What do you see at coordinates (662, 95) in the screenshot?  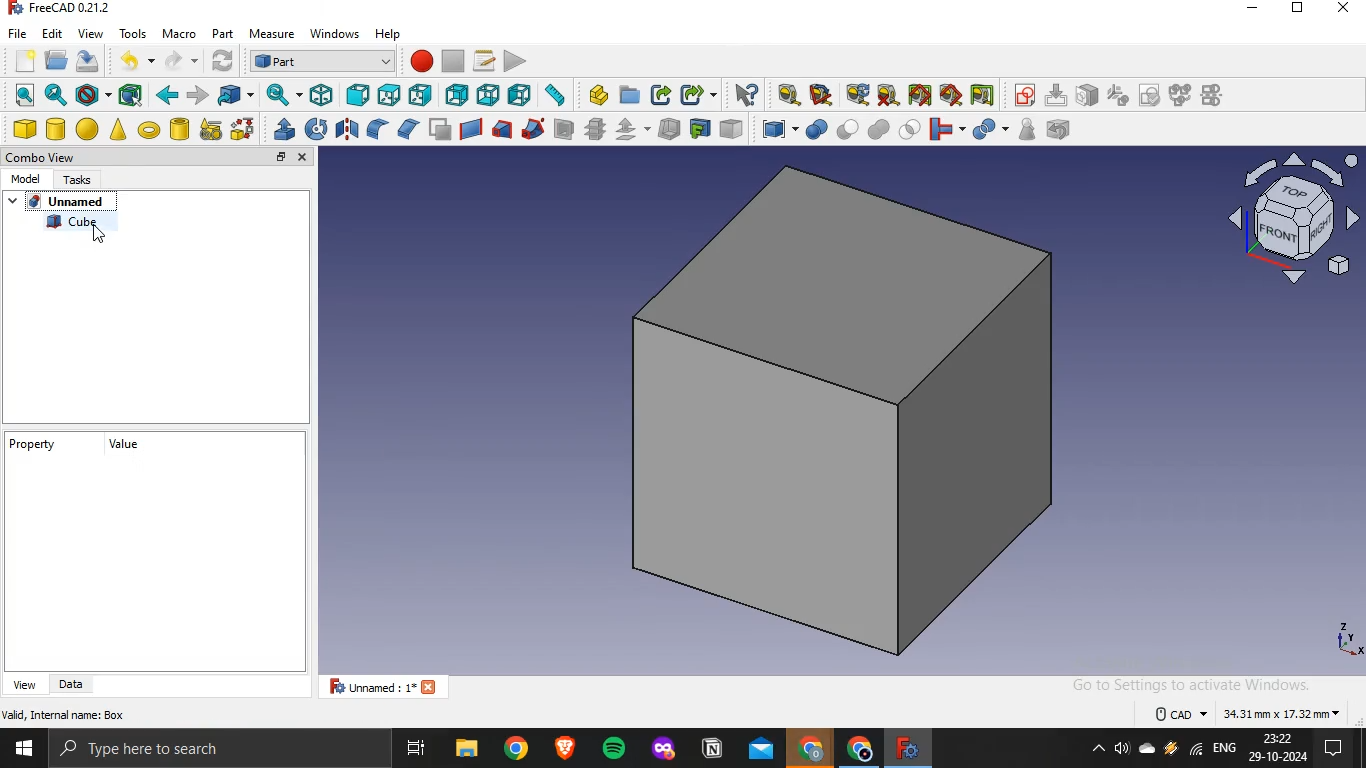 I see `make link` at bounding box center [662, 95].